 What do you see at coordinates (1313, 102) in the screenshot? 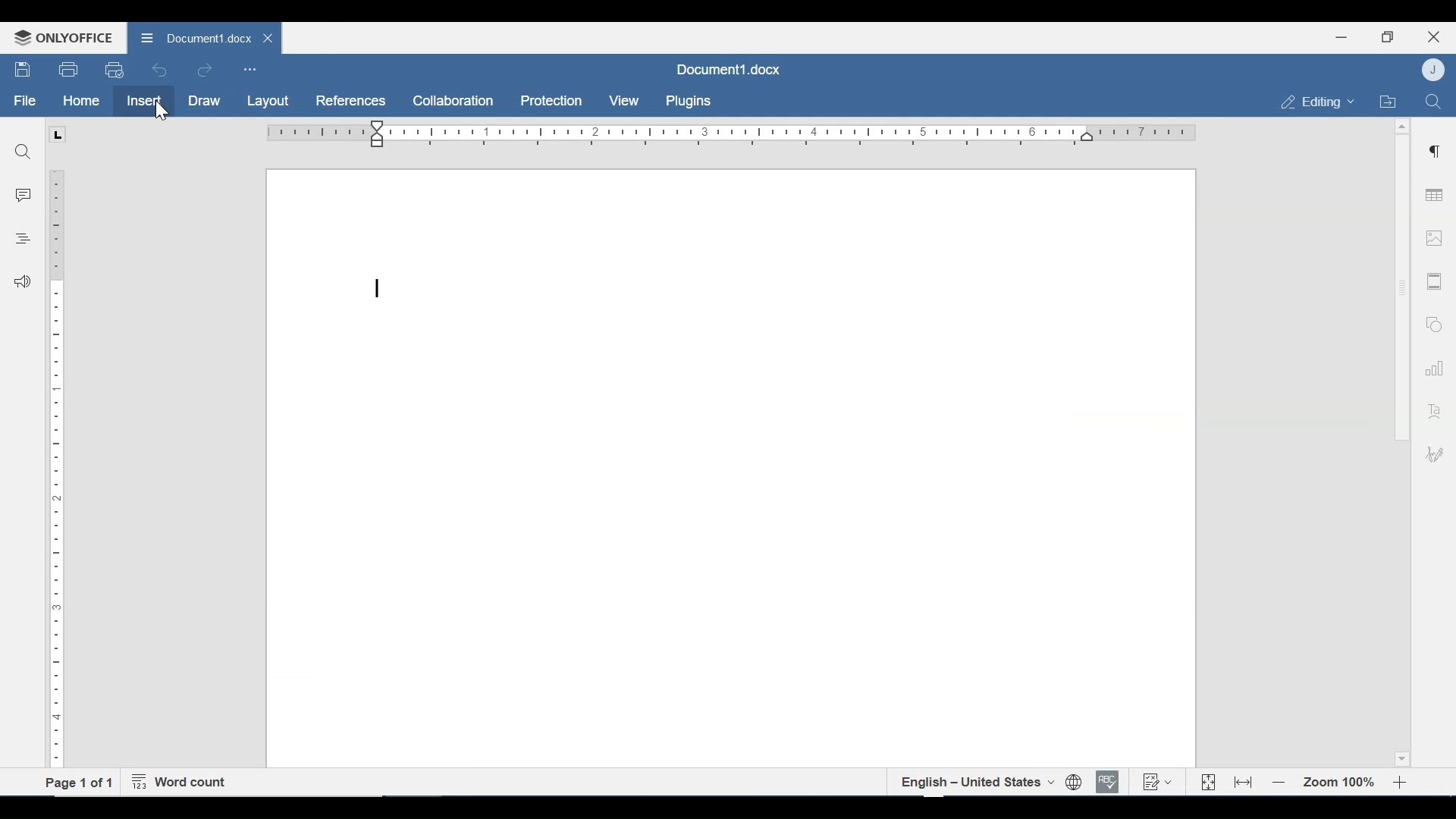
I see `Editing` at bounding box center [1313, 102].